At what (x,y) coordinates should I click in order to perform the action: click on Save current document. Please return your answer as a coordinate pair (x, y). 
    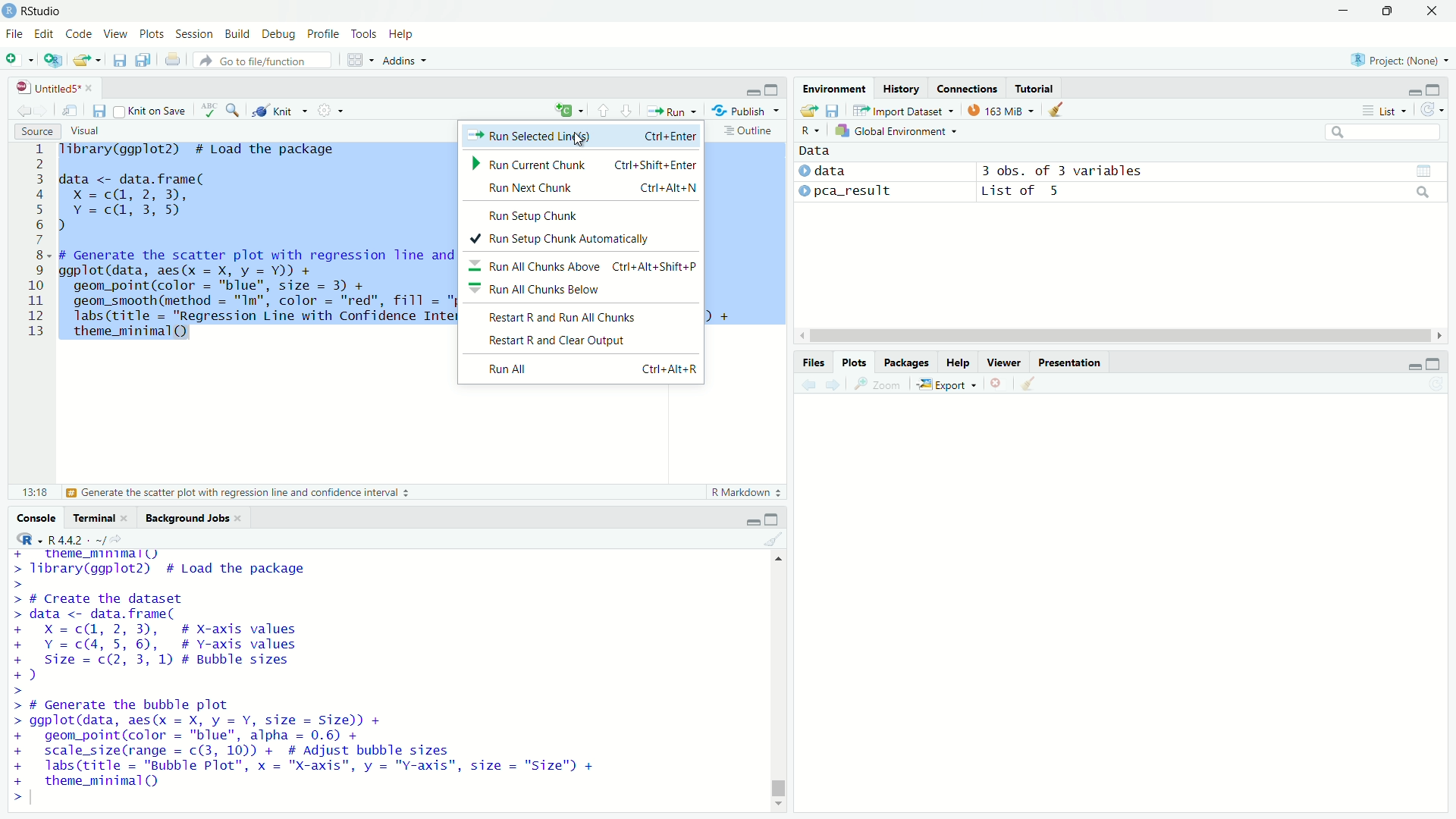
    Looking at the image, I should click on (99, 110).